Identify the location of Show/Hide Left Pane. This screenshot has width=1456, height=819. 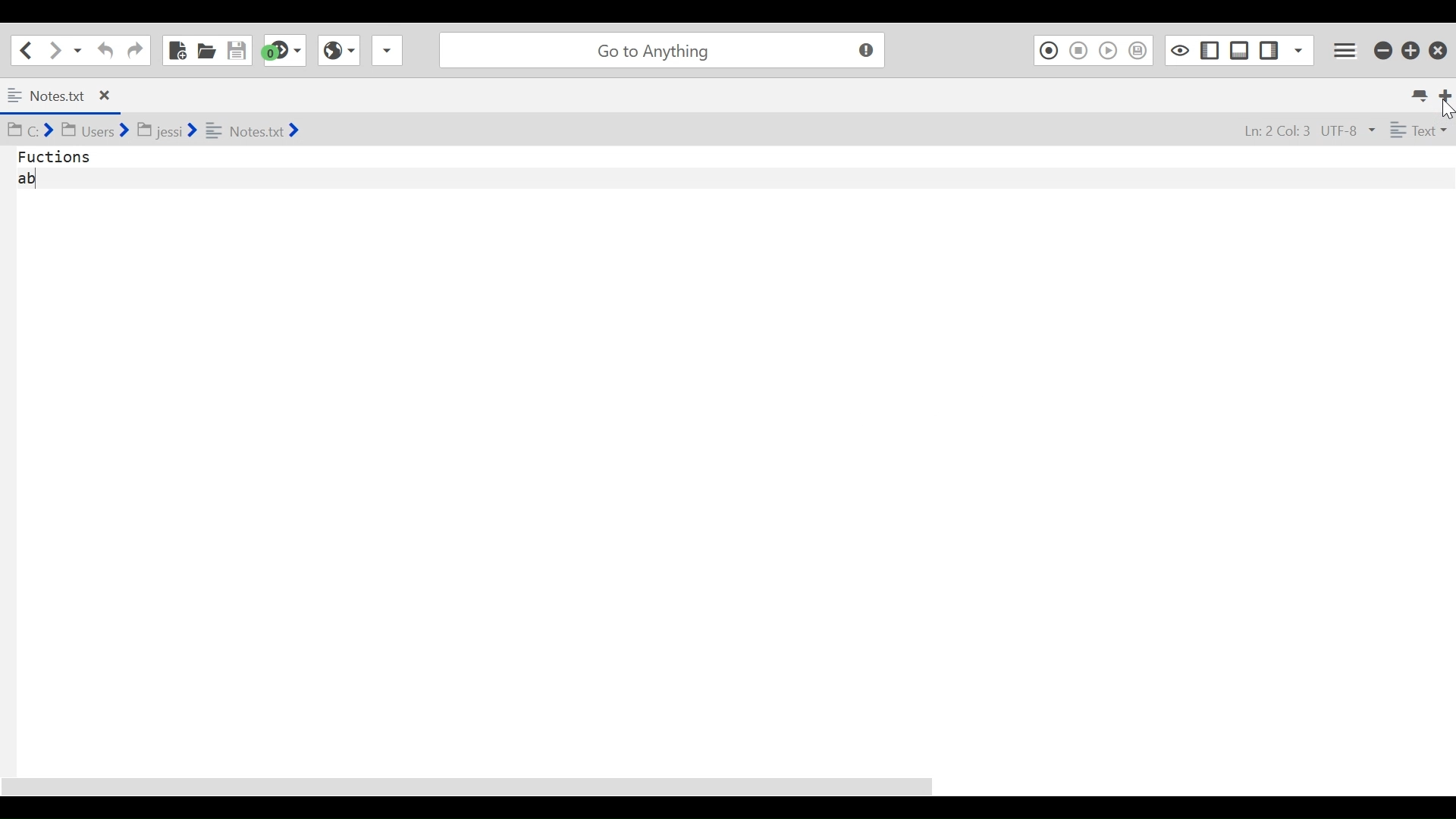
(1269, 49).